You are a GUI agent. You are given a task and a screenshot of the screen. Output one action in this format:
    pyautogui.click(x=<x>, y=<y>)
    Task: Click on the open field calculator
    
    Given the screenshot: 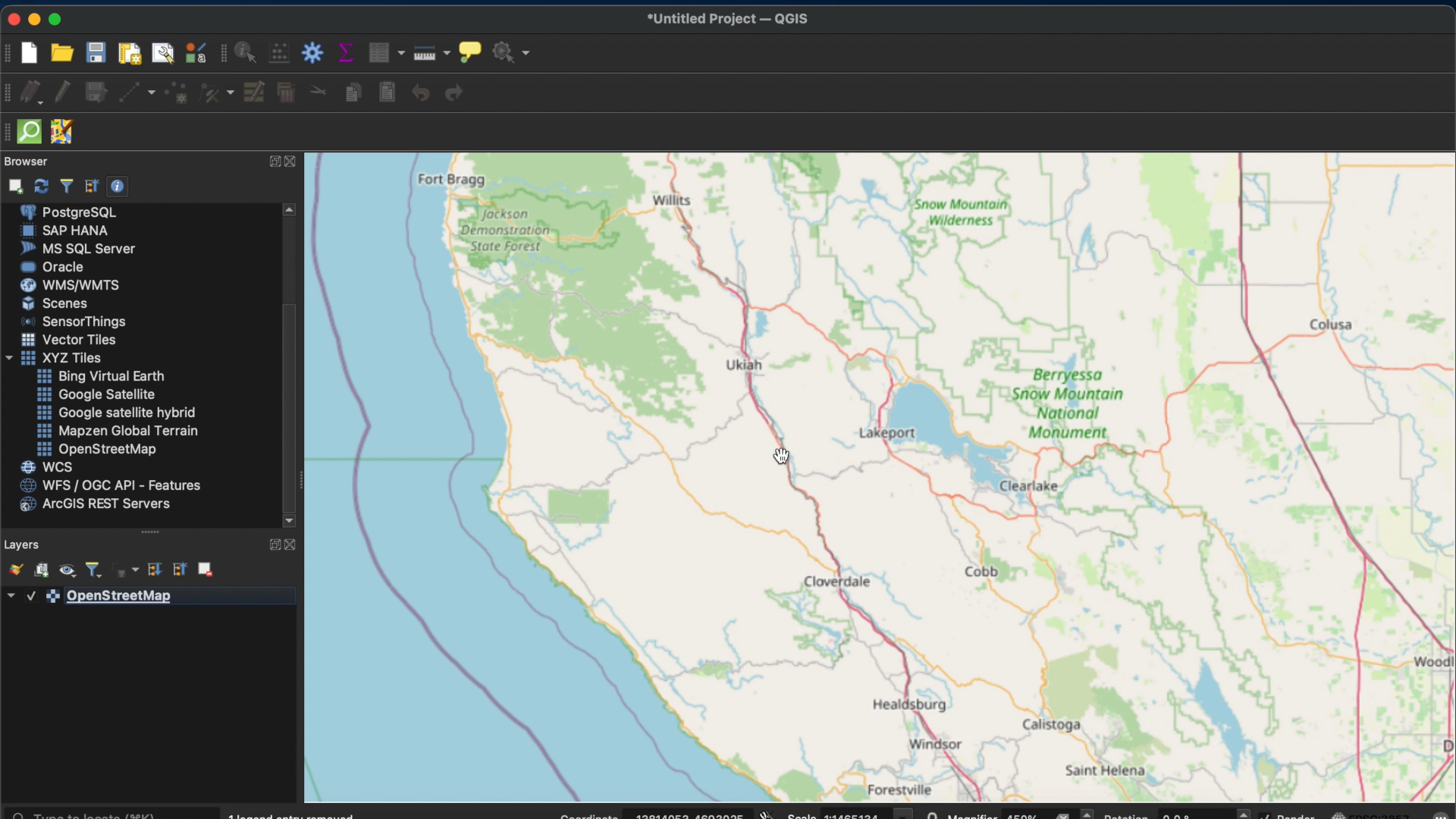 What is the action you would take?
    pyautogui.click(x=281, y=52)
    